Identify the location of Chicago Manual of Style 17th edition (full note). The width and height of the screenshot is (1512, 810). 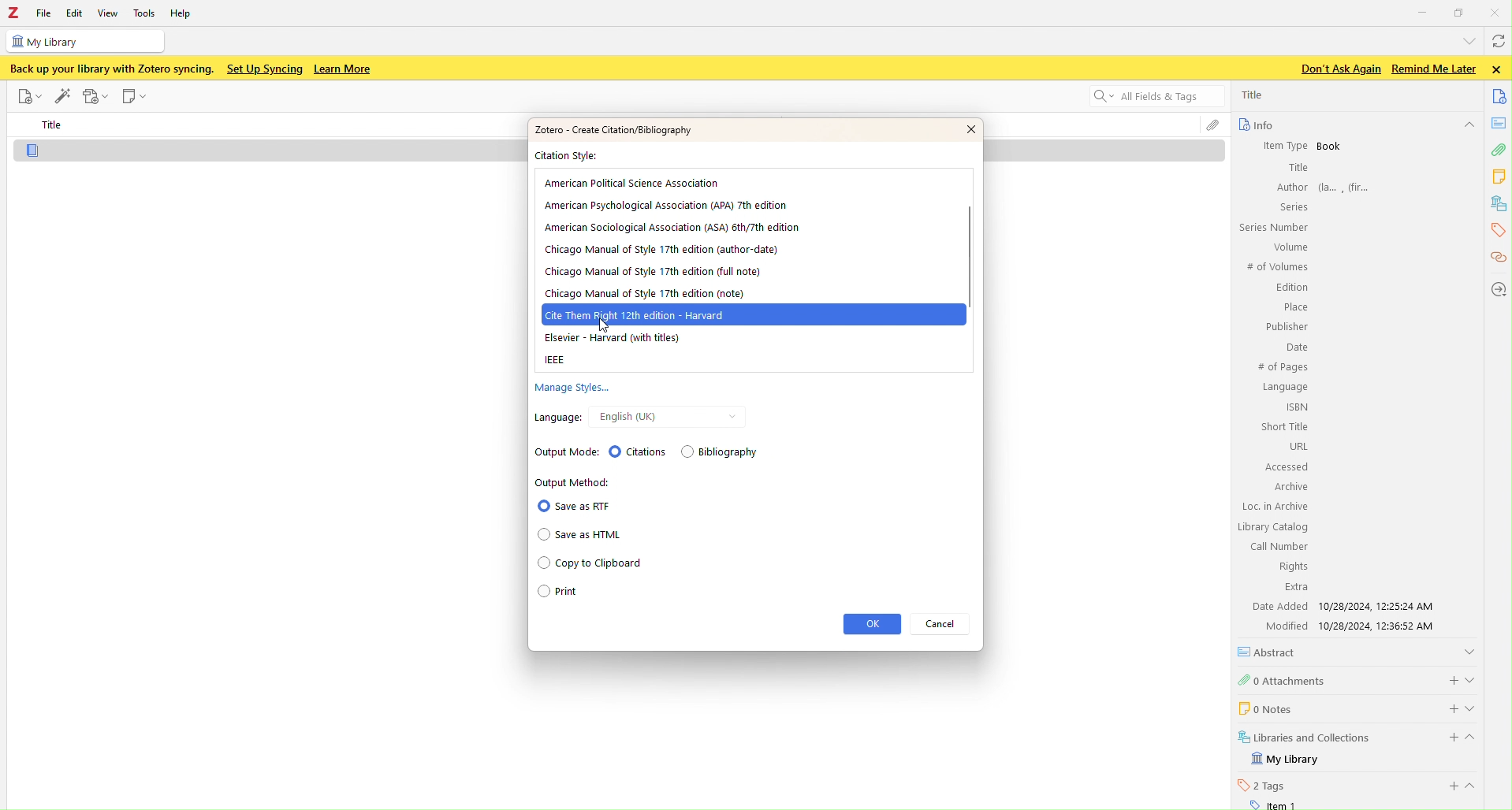
(654, 273).